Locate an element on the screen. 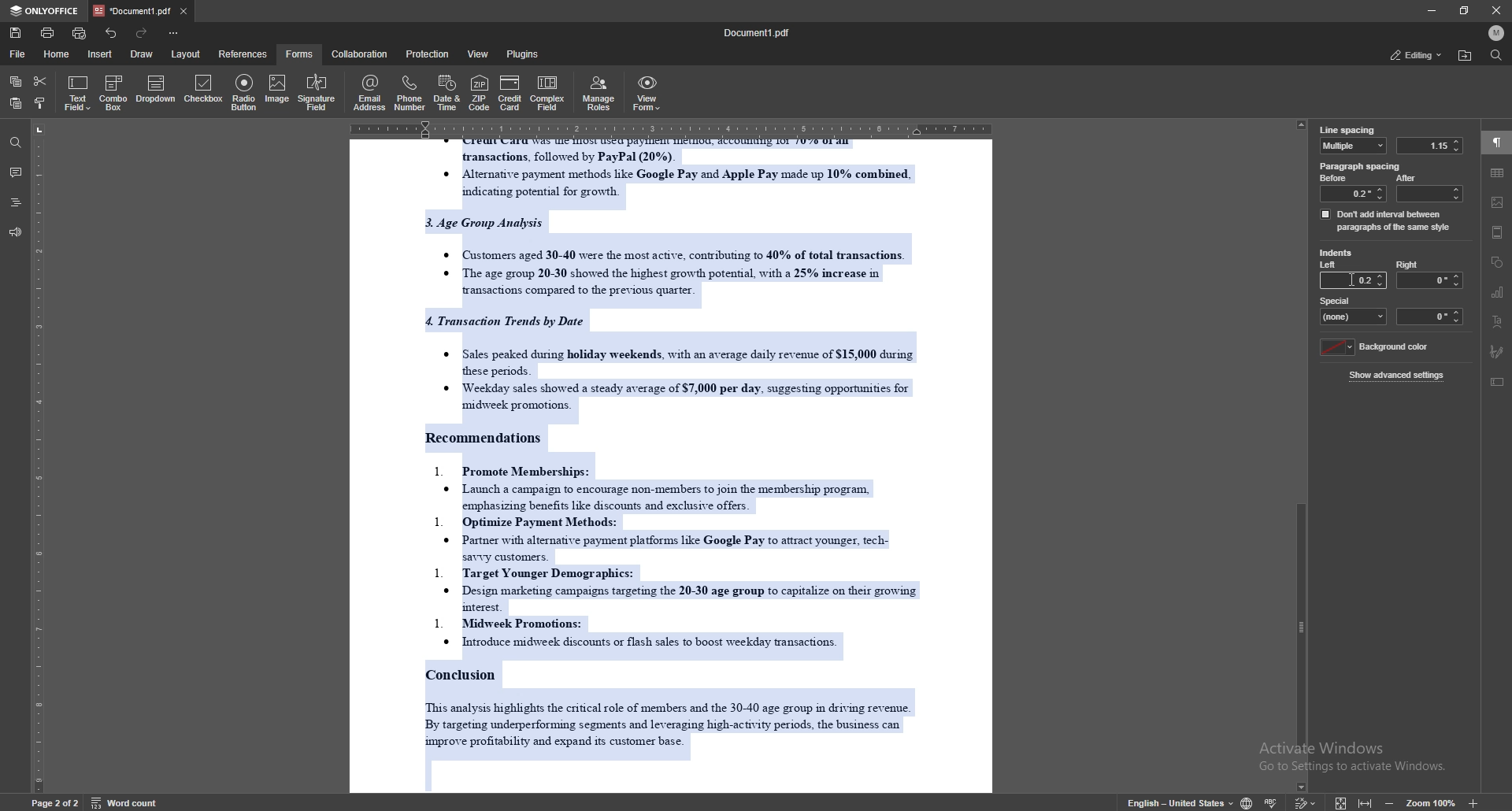 The width and height of the screenshot is (1512, 811). close tab is located at coordinates (183, 10).